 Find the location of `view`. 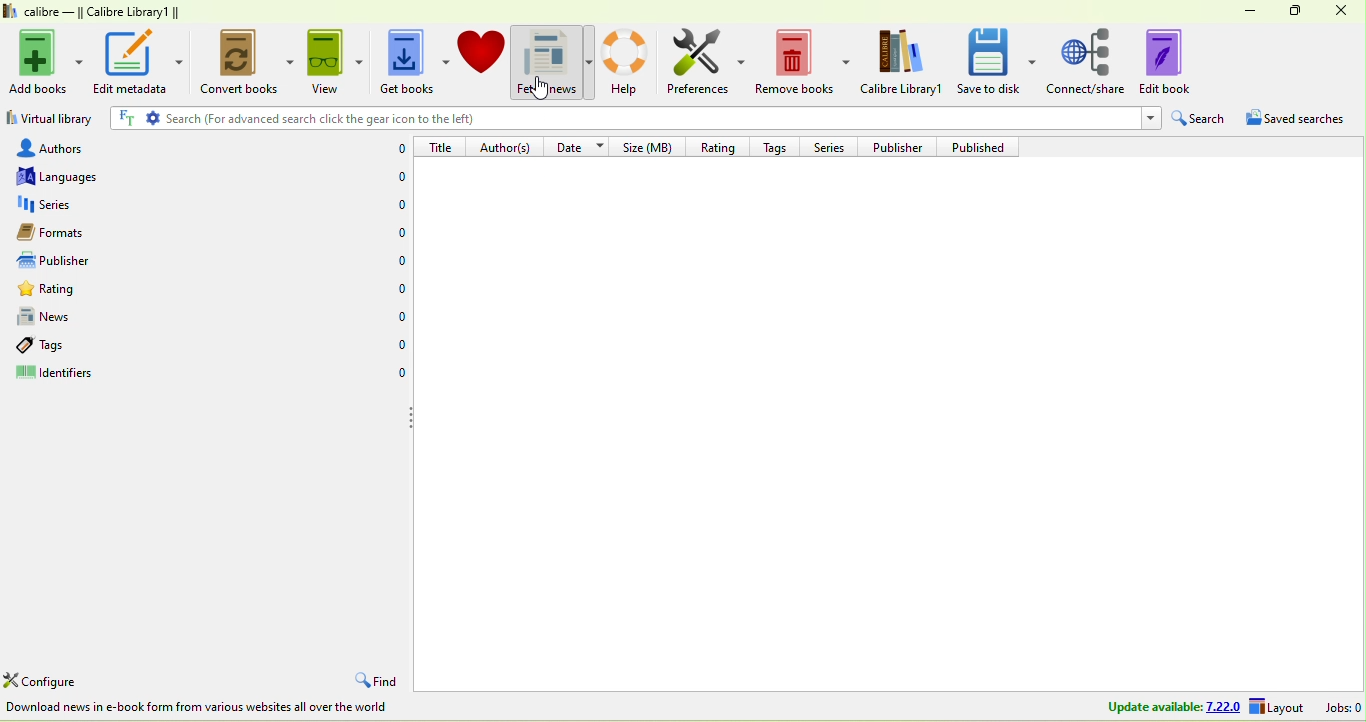

view is located at coordinates (325, 62).